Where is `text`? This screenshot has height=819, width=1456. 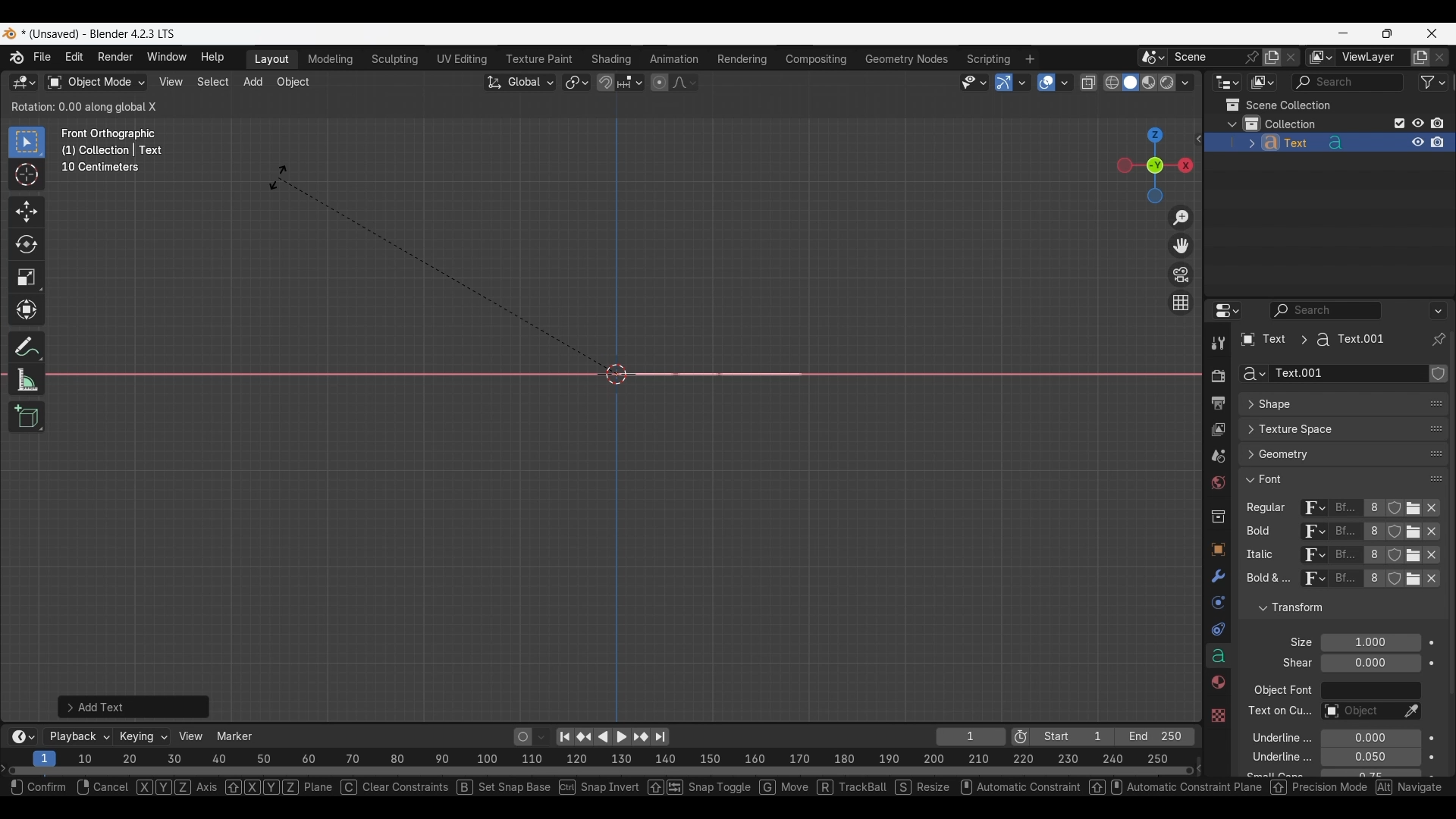 text is located at coordinates (1272, 776).